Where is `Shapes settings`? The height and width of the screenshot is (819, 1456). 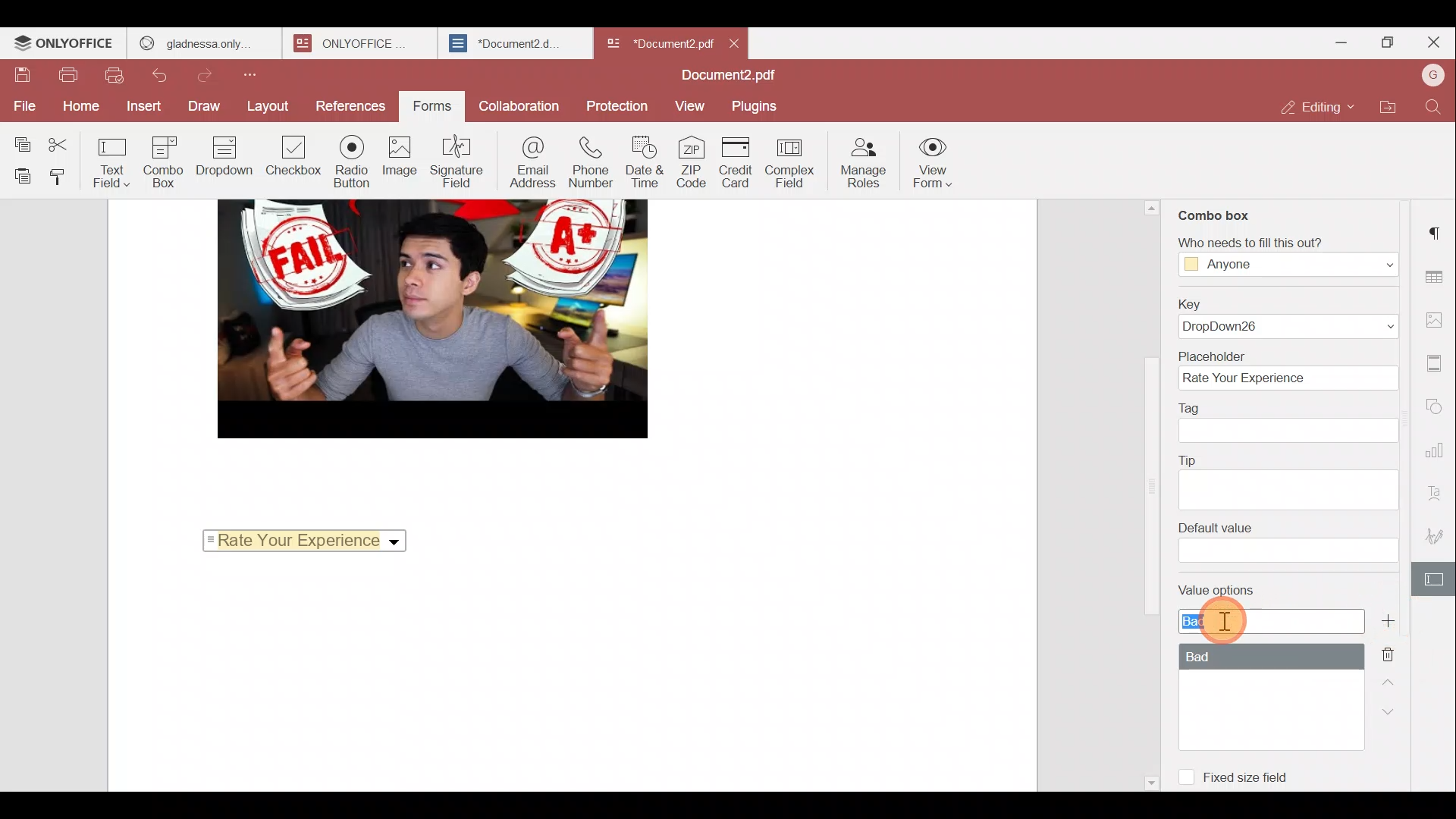
Shapes settings is located at coordinates (1439, 403).